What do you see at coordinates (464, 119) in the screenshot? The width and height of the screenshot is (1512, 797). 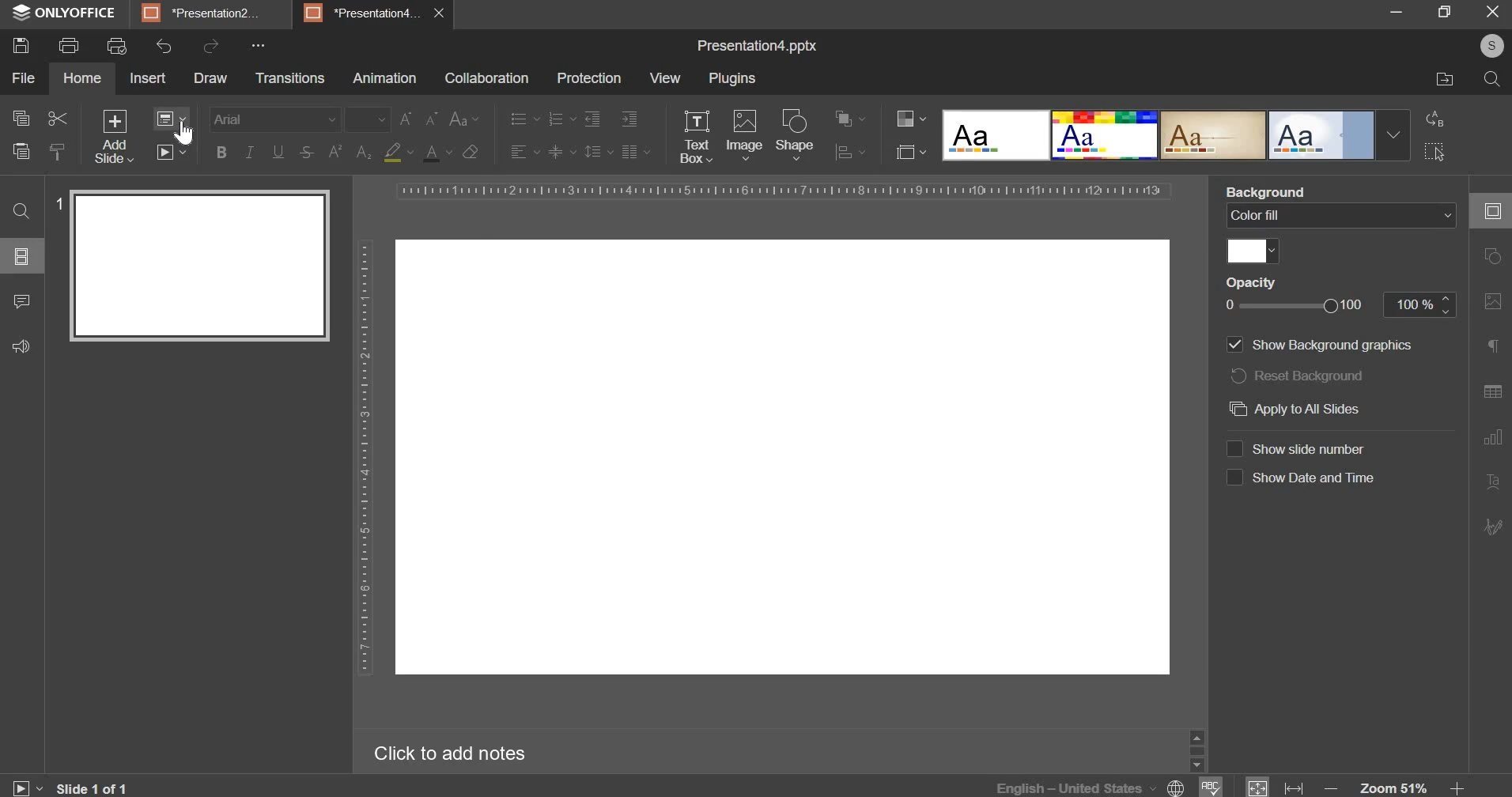 I see `change case` at bounding box center [464, 119].